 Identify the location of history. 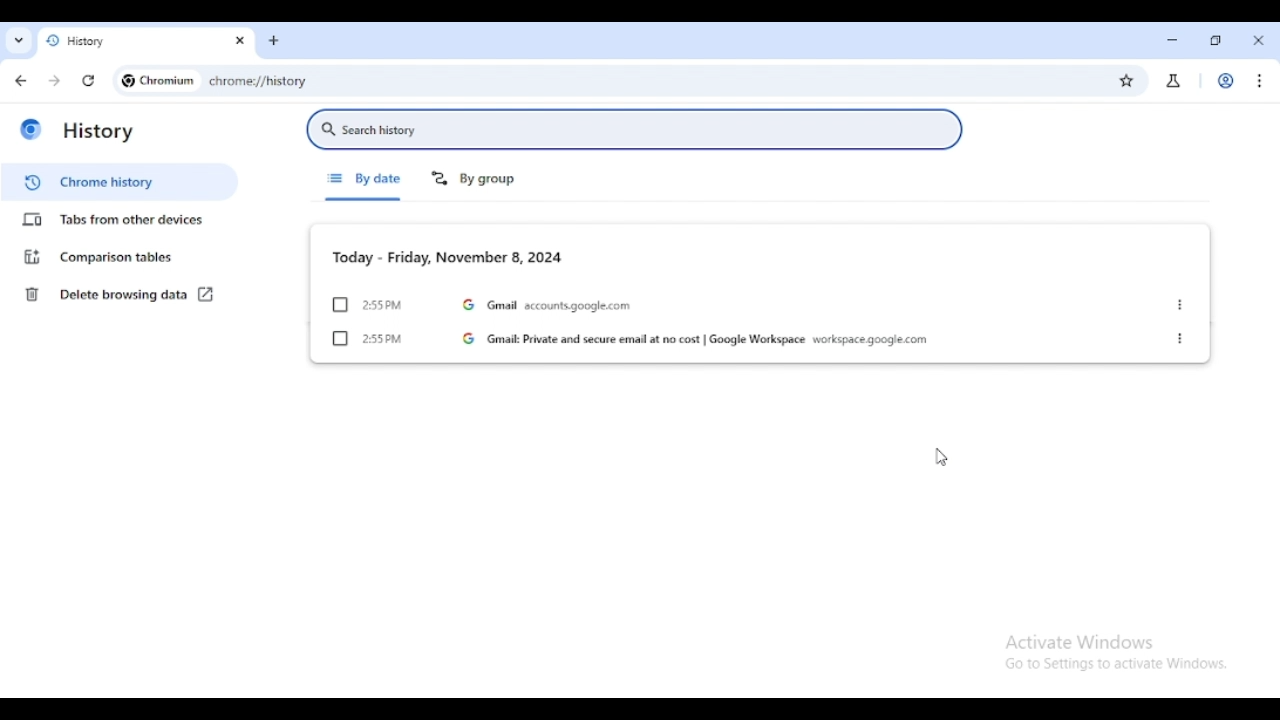
(130, 41).